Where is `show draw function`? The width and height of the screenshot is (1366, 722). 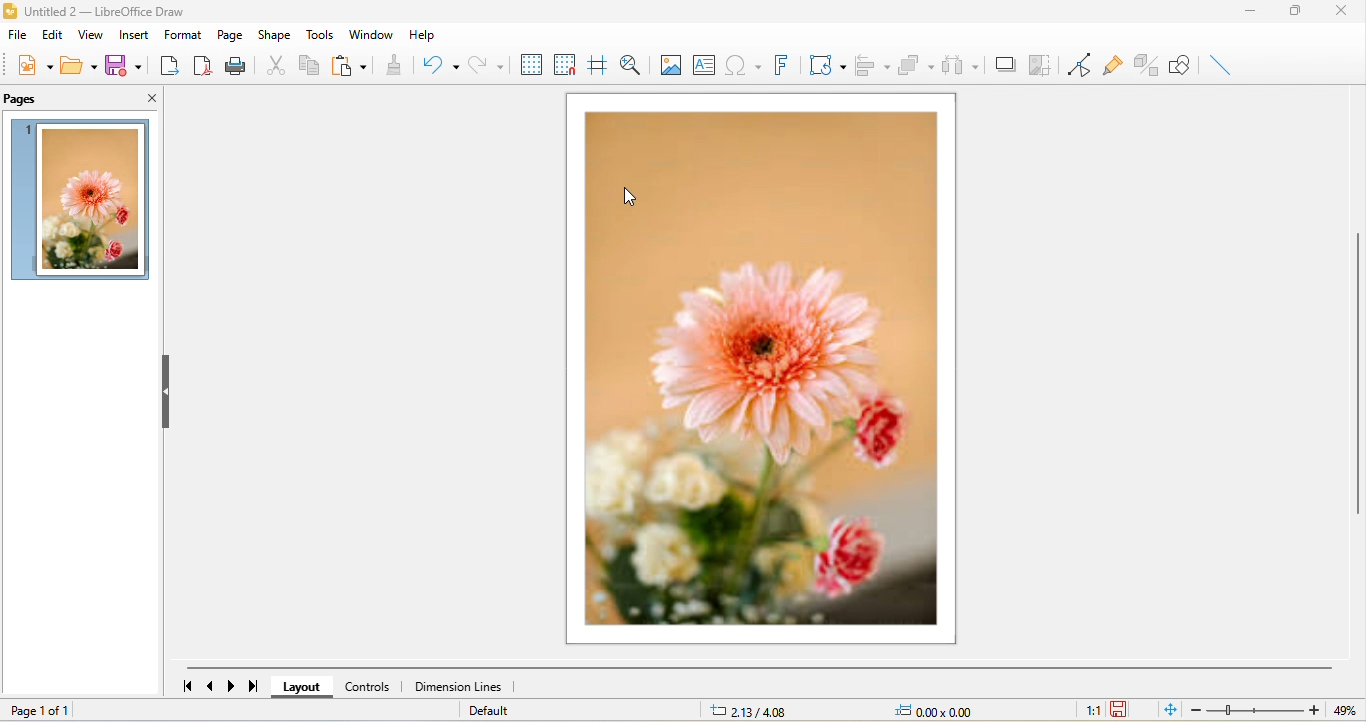 show draw function is located at coordinates (1181, 65).